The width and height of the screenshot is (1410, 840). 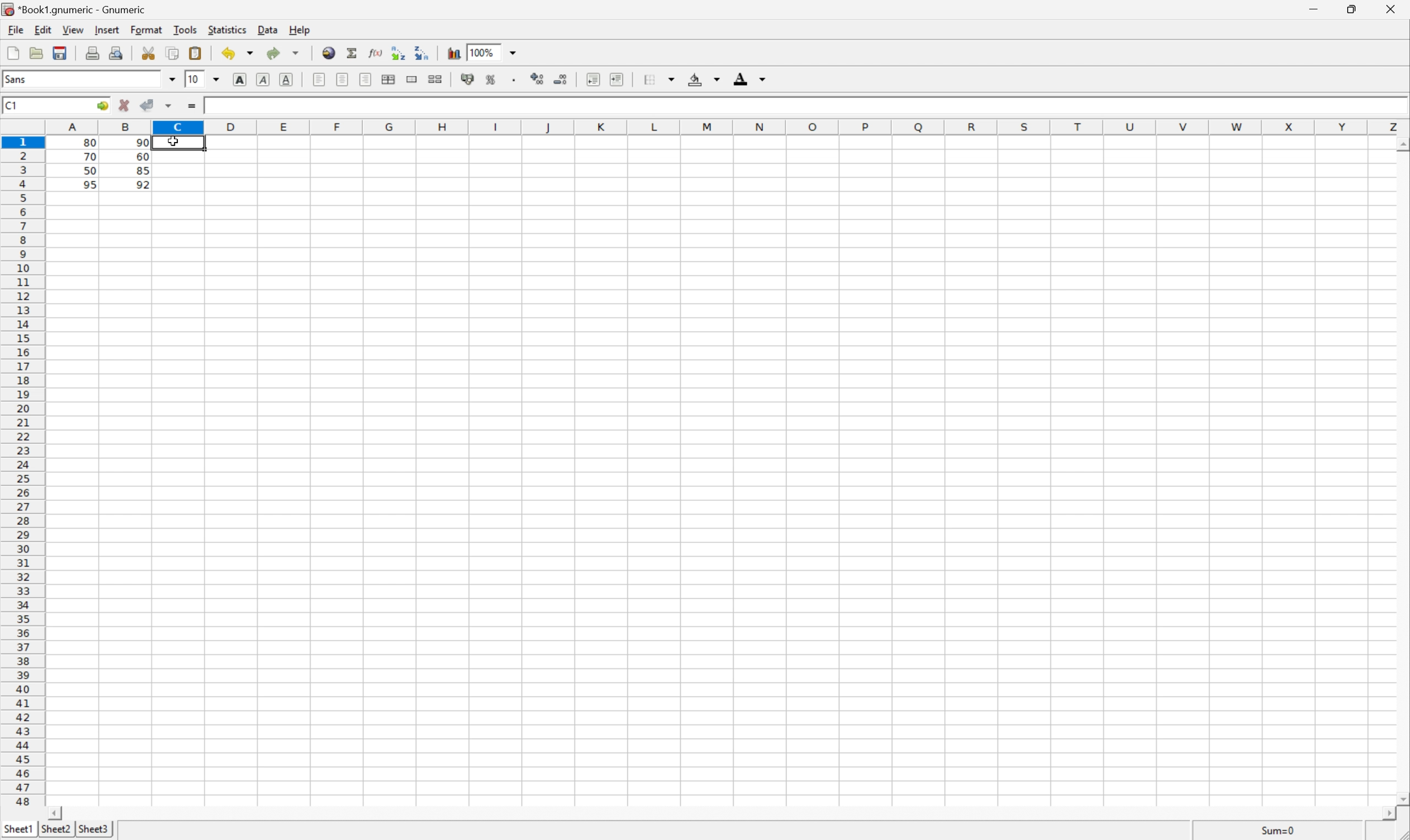 What do you see at coordinates (173, 80) in the screenshot?
I see `Drop Down` at bounding box center [173, 80].